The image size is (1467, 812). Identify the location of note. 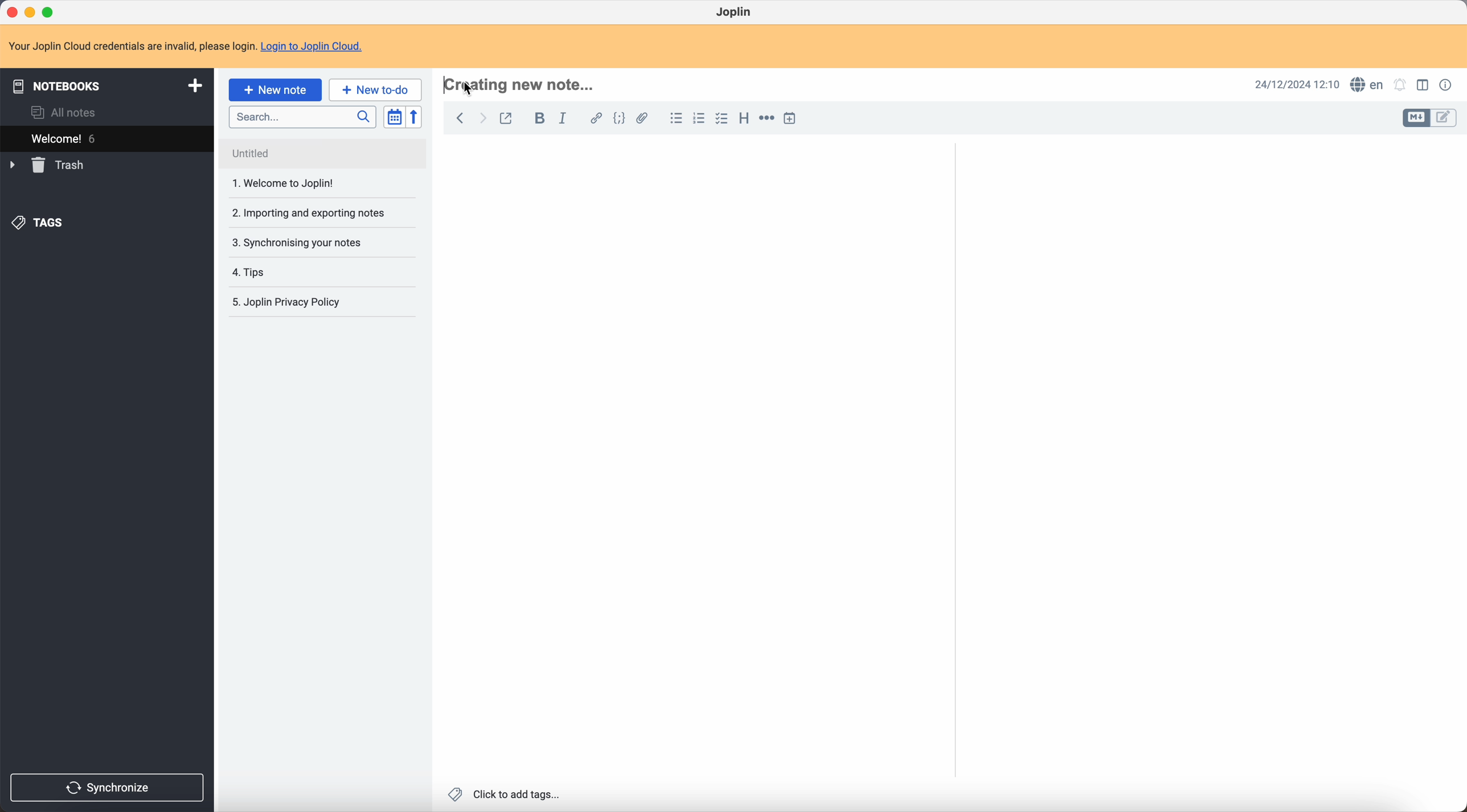
(186, 46).